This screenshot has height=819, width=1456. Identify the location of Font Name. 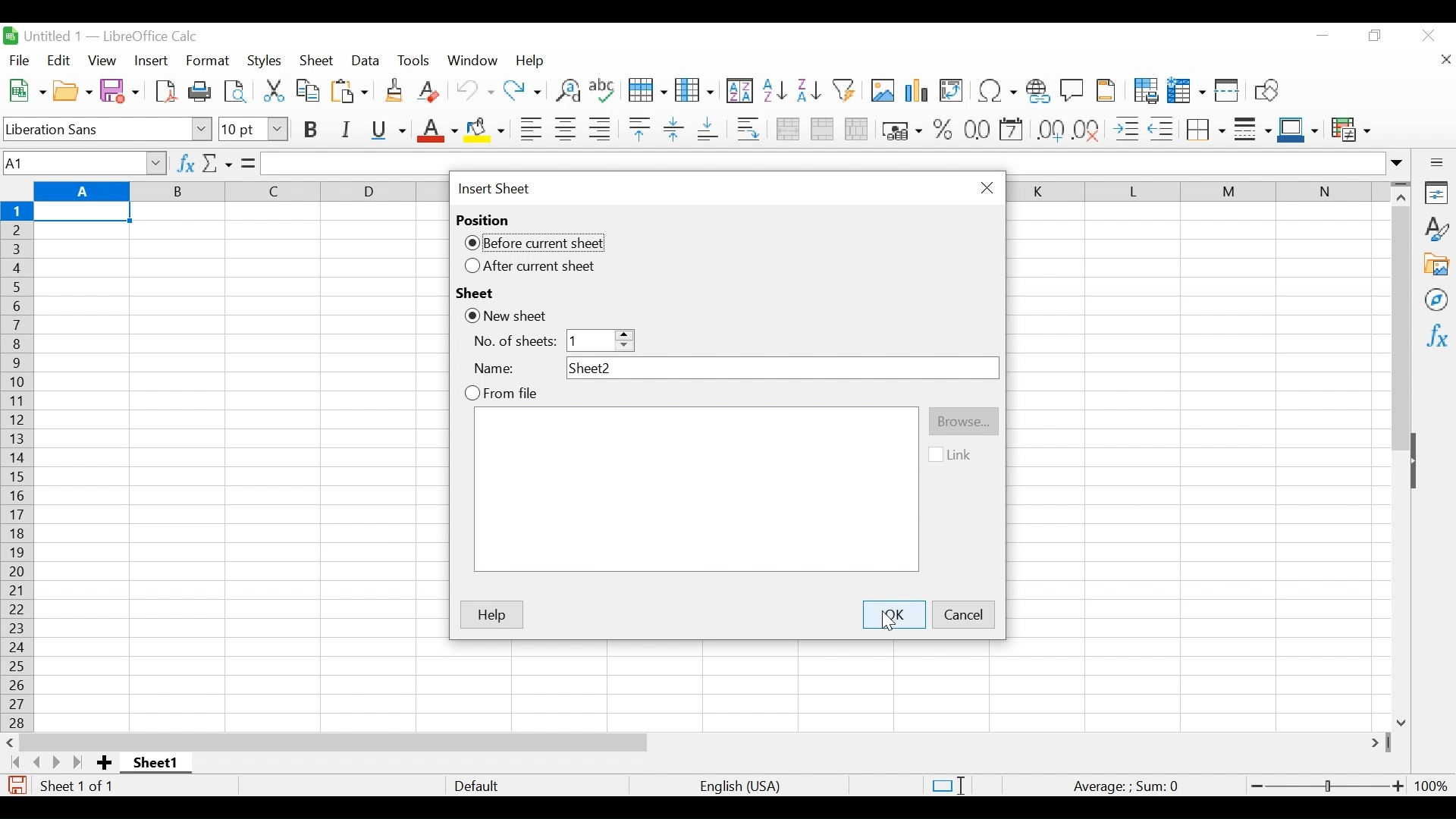
(108, 128).